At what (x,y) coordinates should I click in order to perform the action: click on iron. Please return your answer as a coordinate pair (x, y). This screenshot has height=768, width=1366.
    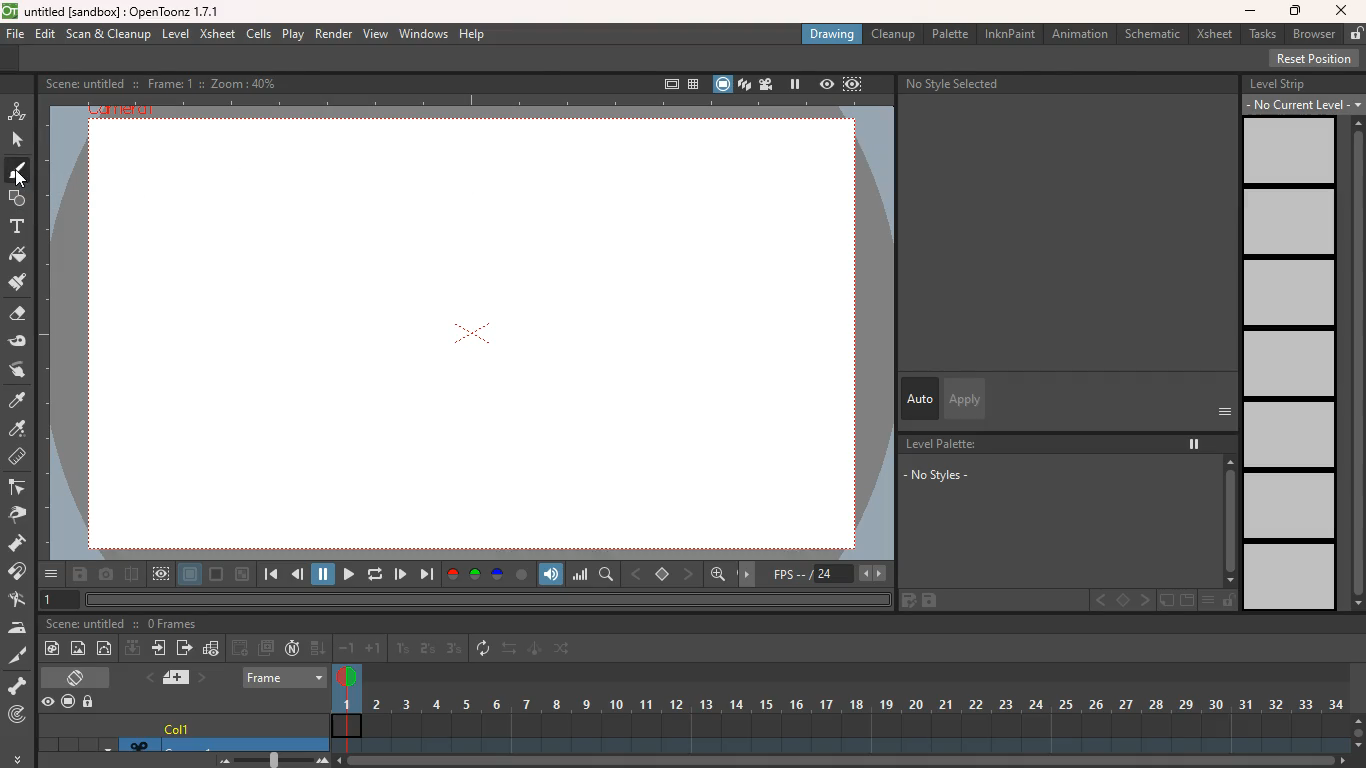
    Looking at the image, I should click on (21, 628).